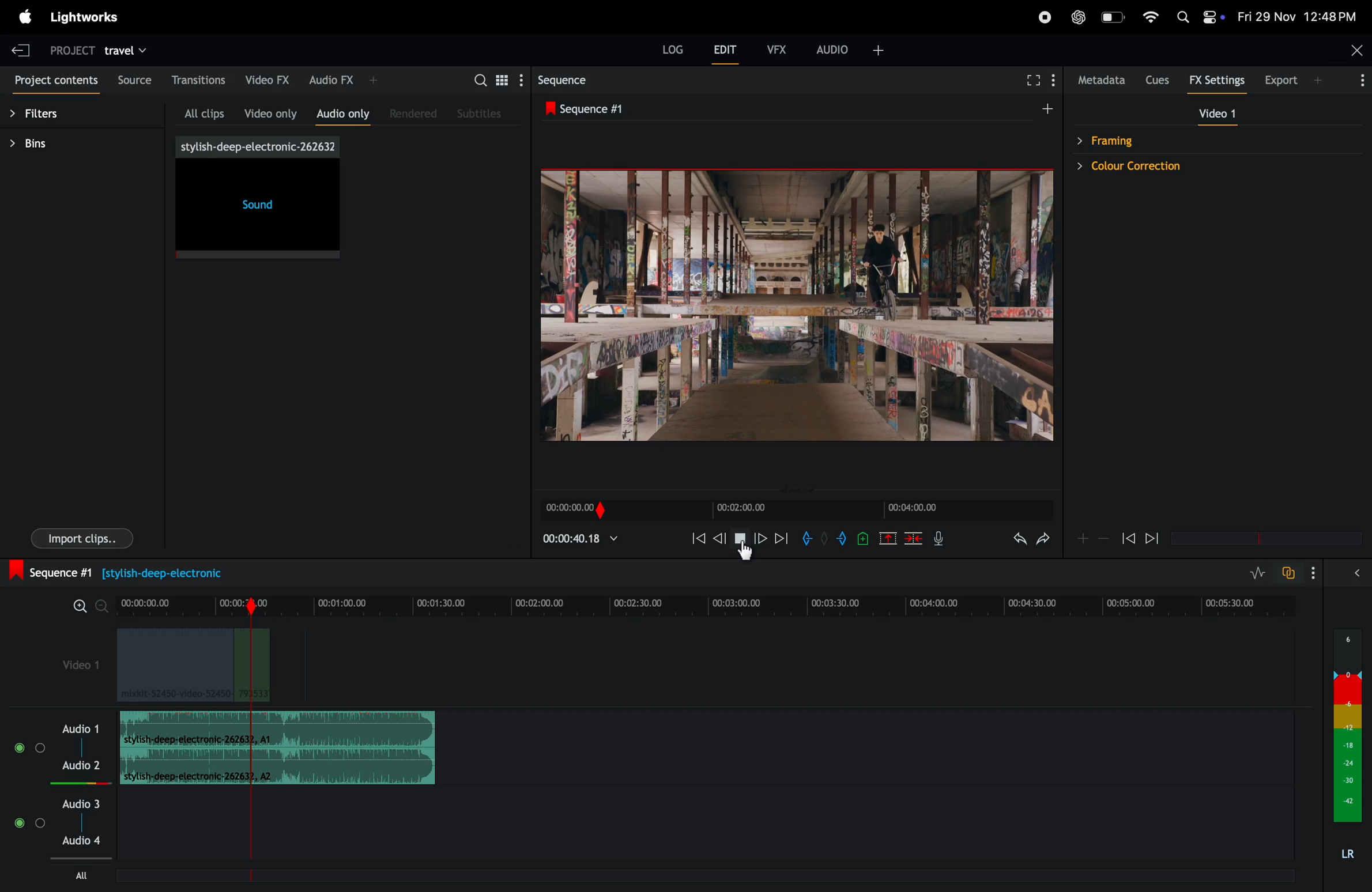 This screenshot has height=892, width=1372. Describe the element at coordinates (597, 80) in the screenshot. I see `sequence` at that location.